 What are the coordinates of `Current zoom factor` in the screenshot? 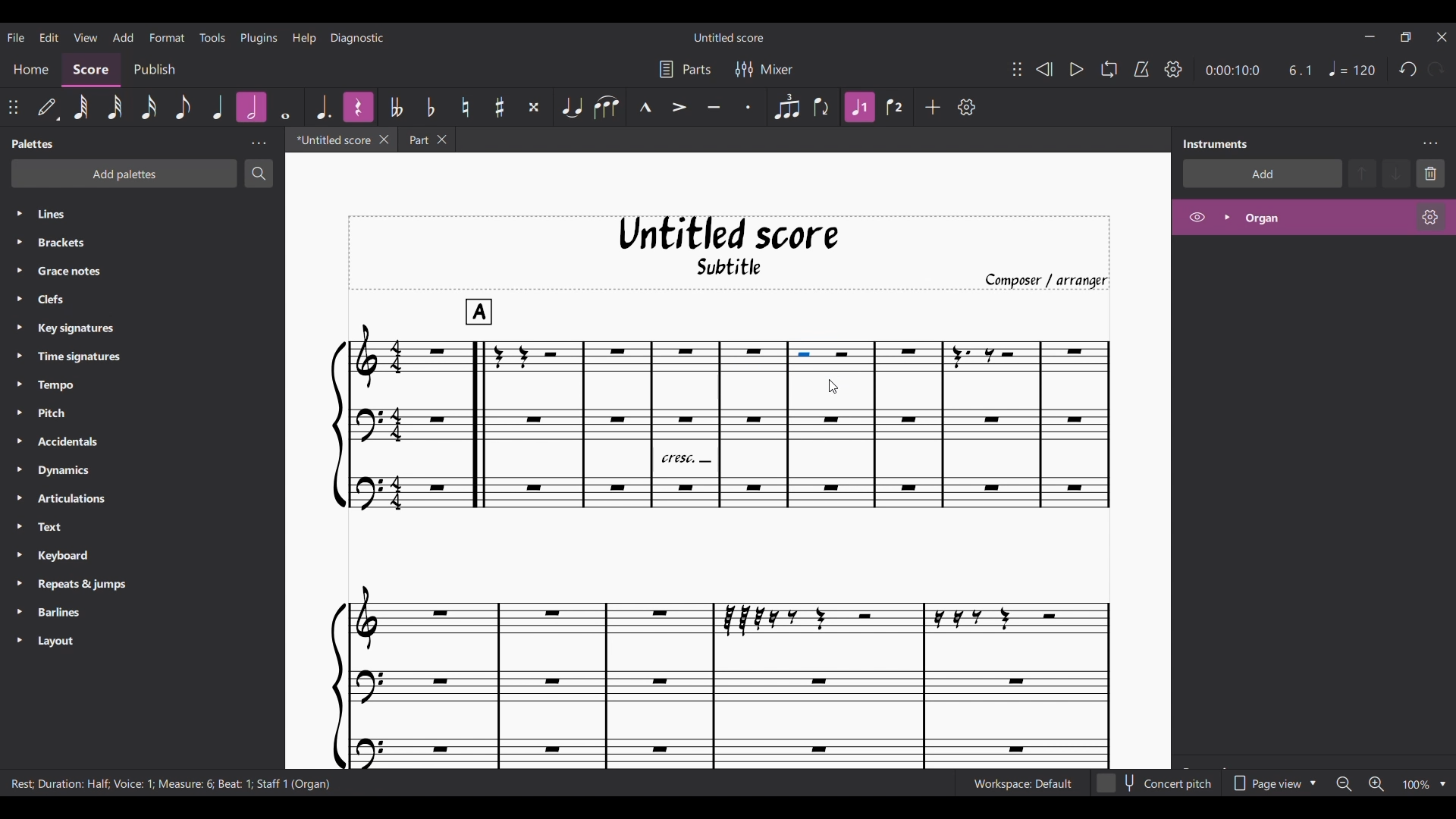 It's located at (1417, 785).